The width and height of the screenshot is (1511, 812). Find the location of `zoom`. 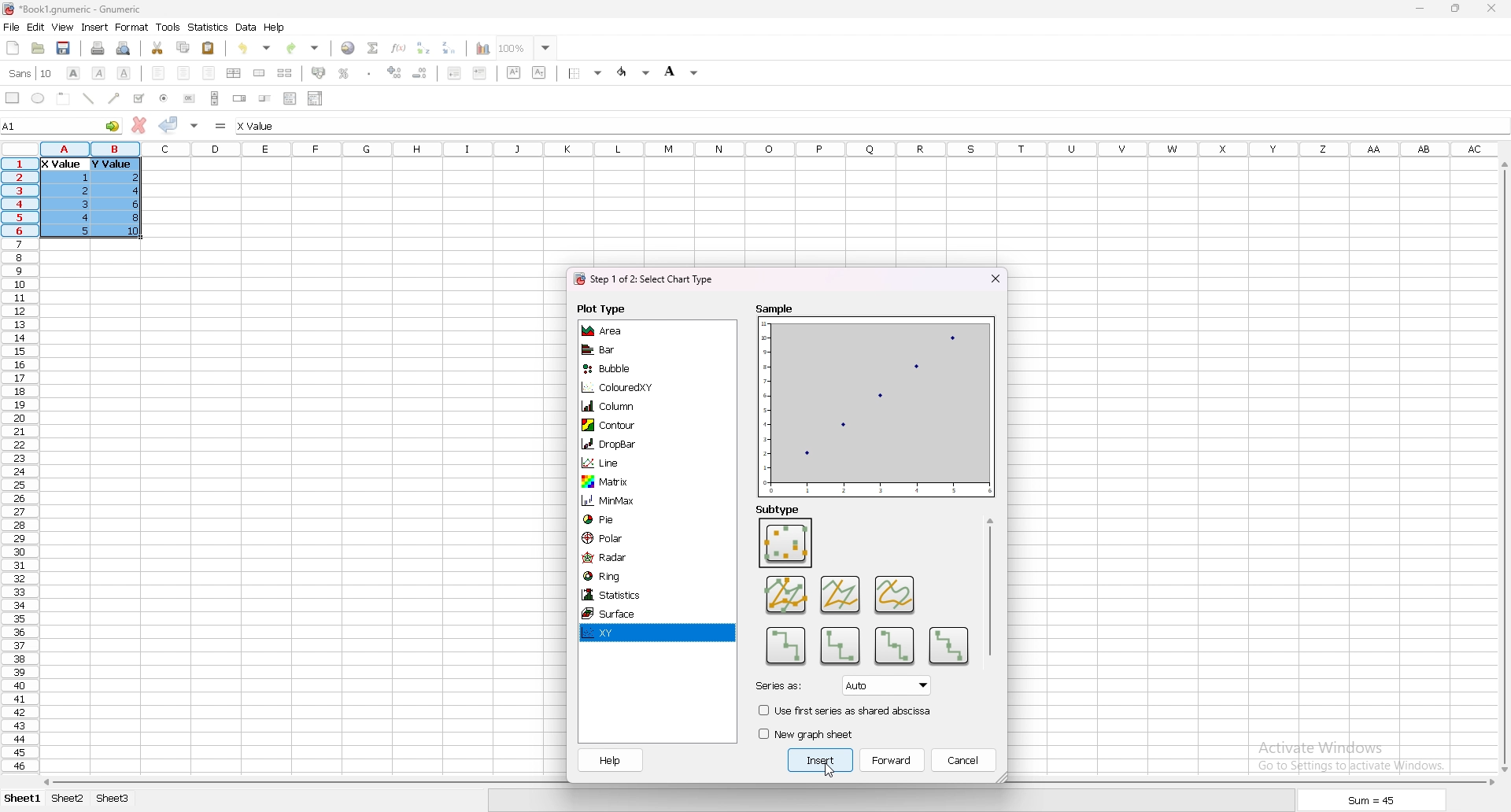

zoom is located at coordinates (526, 47).